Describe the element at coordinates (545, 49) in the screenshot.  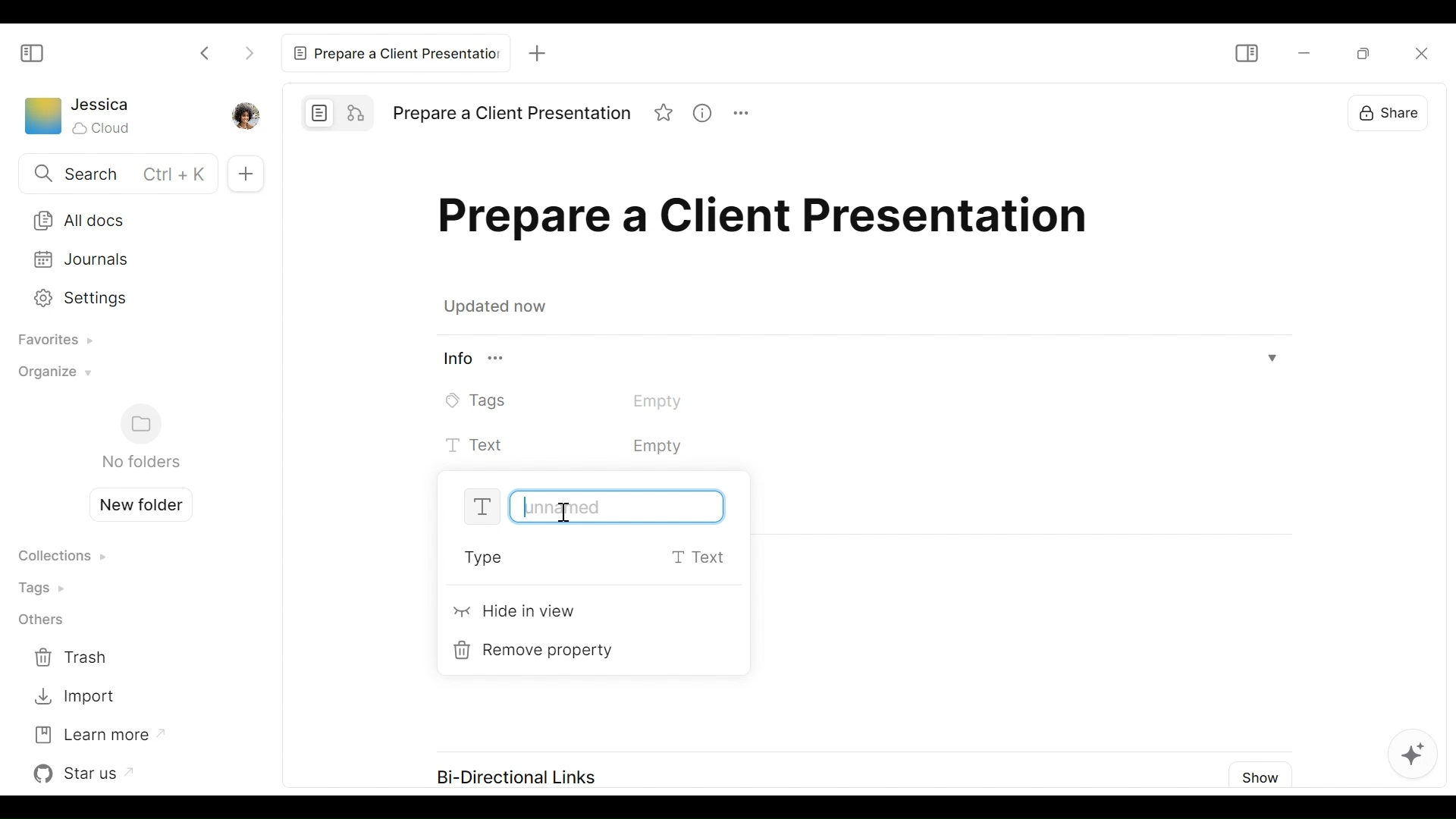
I see `New Tab` at that location.